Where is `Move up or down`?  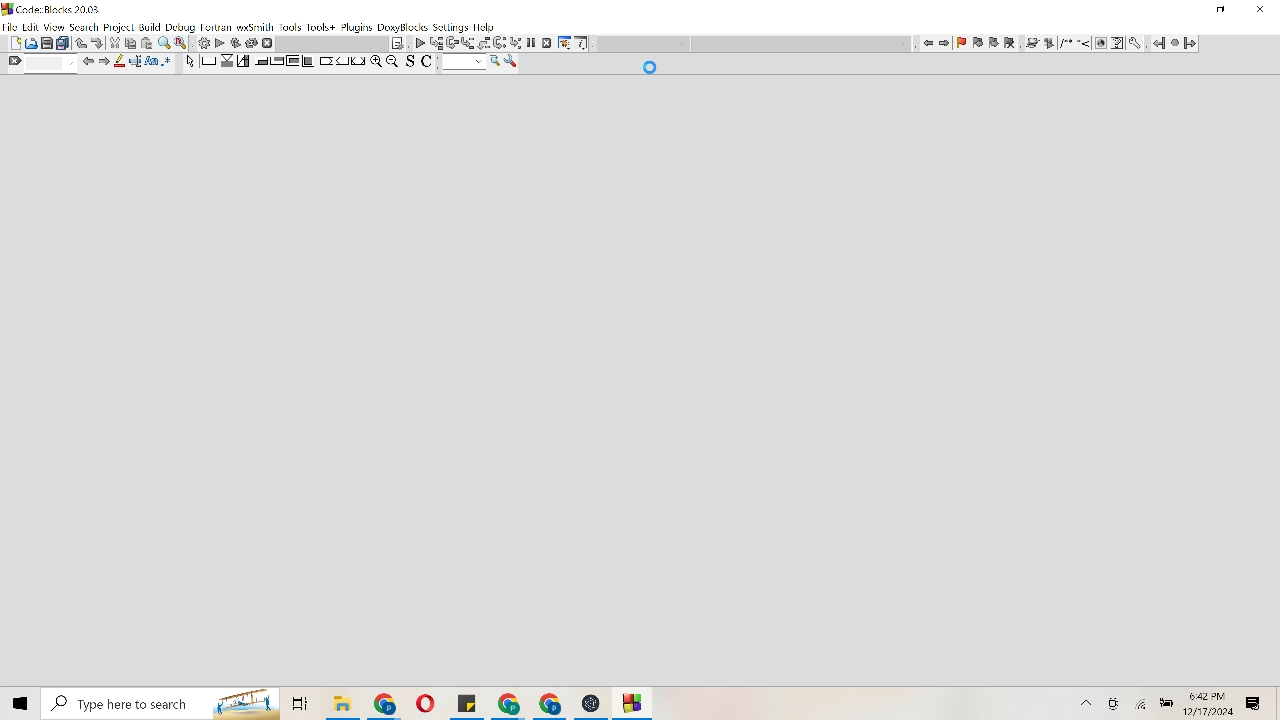
Move up or down is located at coordinates (80, 43).